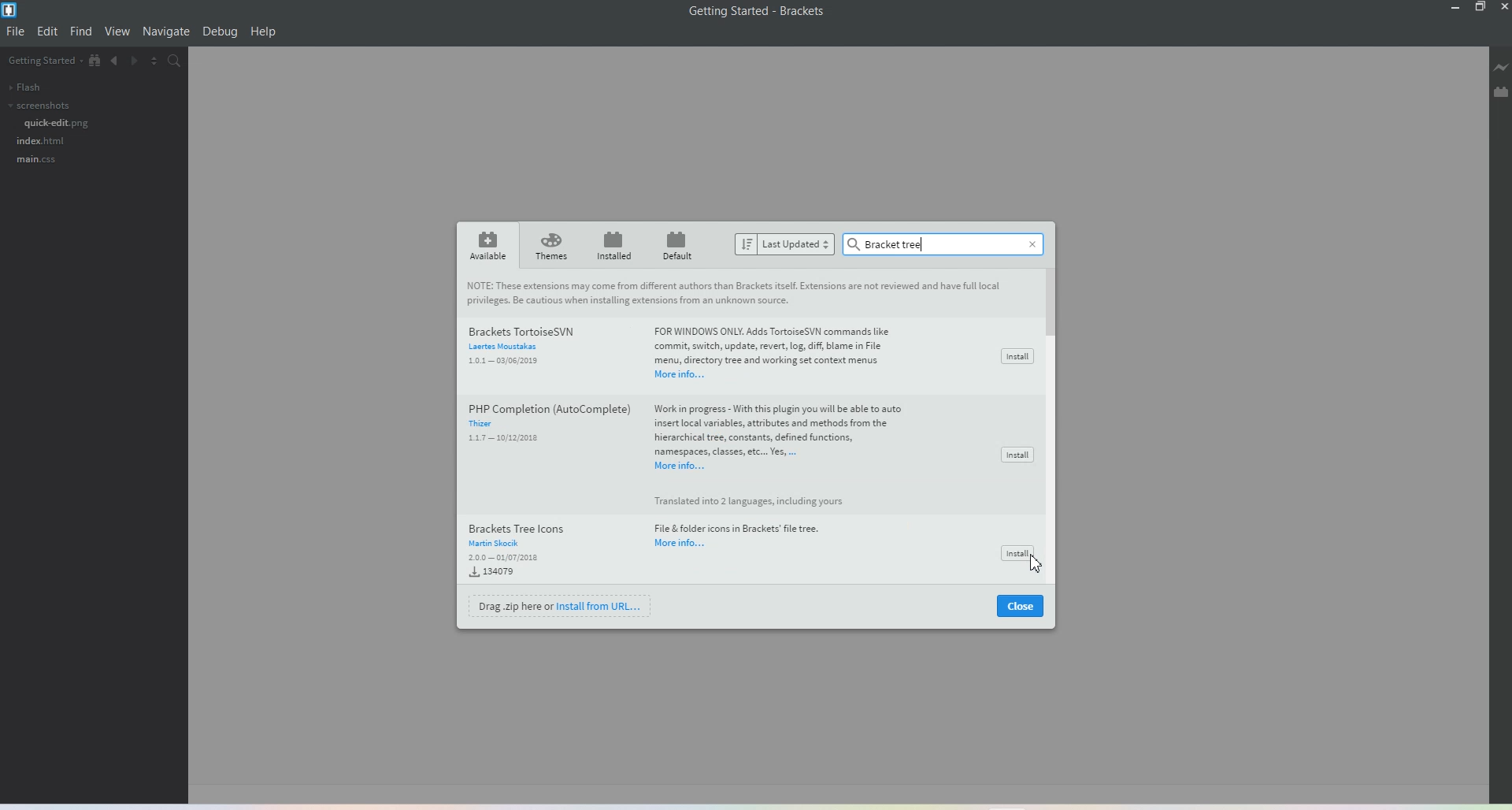  I want to click on Install, so click(1017, 455).